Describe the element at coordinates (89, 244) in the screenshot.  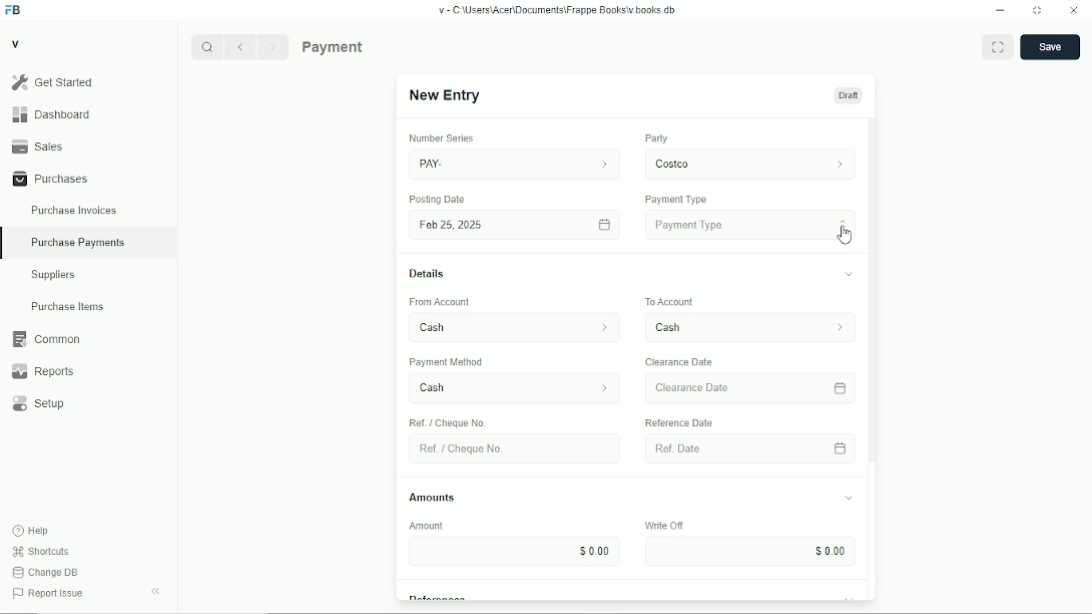
I see `Purchase Payments` at that location.